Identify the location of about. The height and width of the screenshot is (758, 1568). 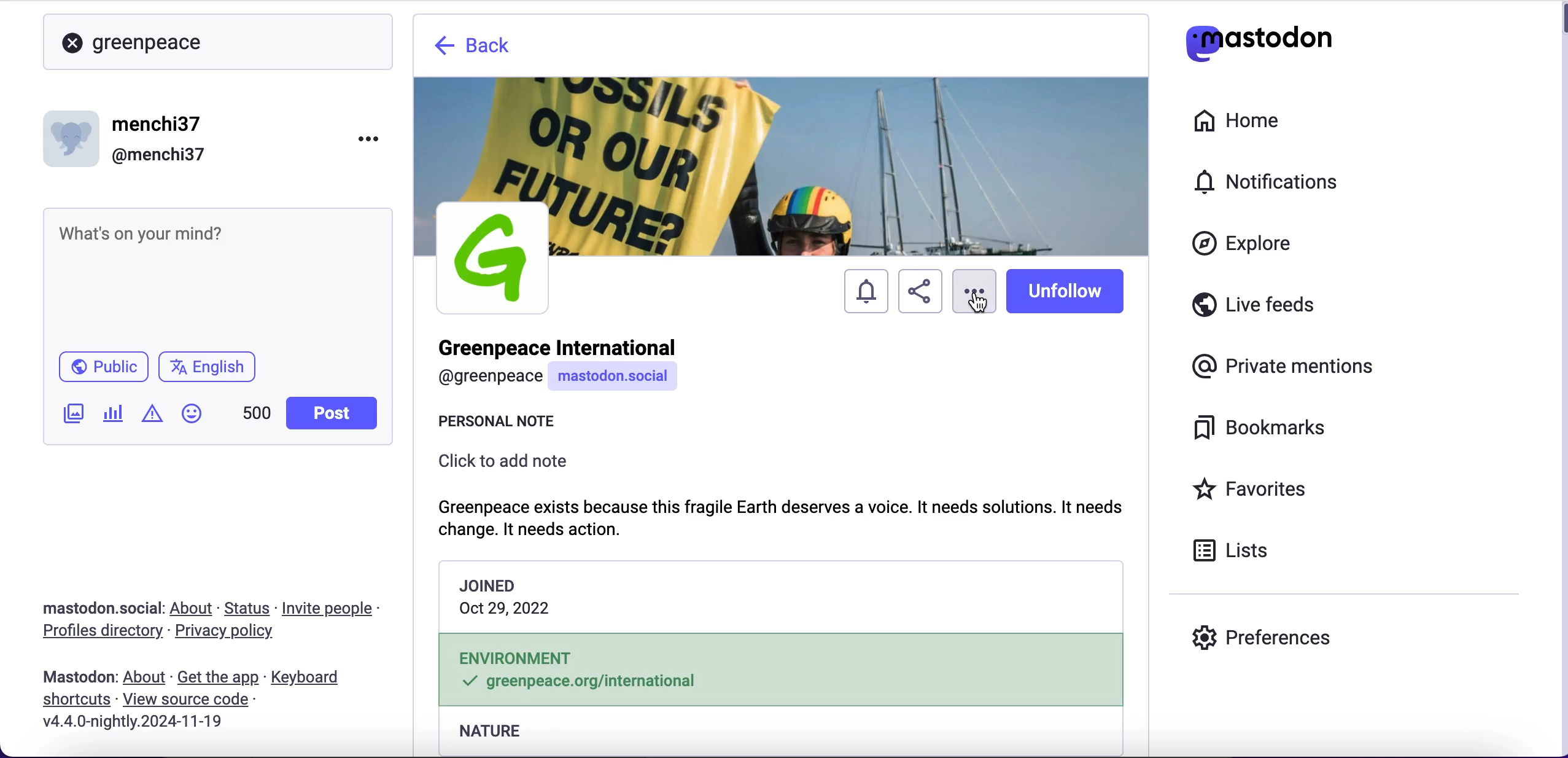
(147, 678).